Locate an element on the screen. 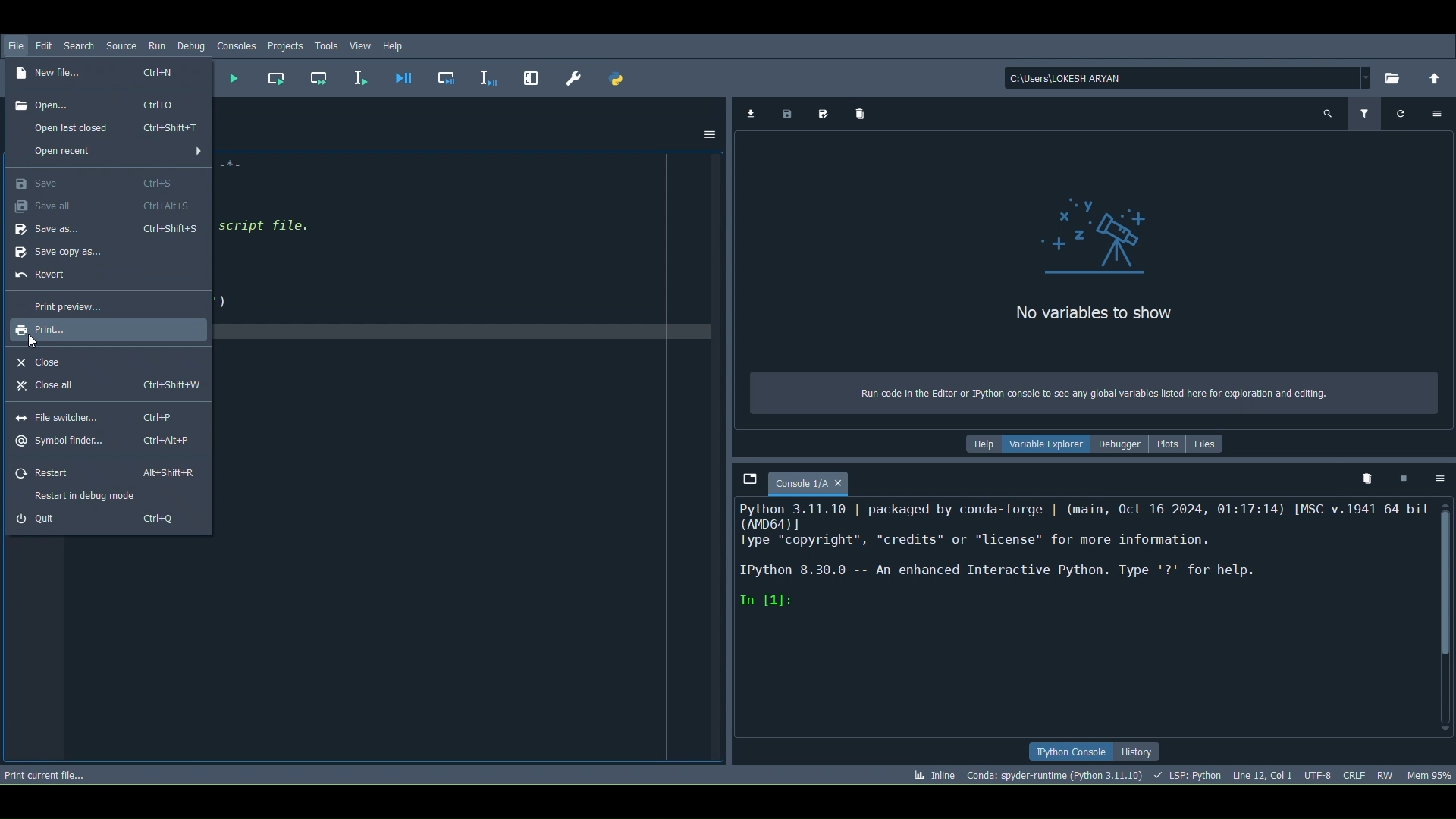 This screenshot has width=1456, height=819. Save is located at coordinates (96, 181).